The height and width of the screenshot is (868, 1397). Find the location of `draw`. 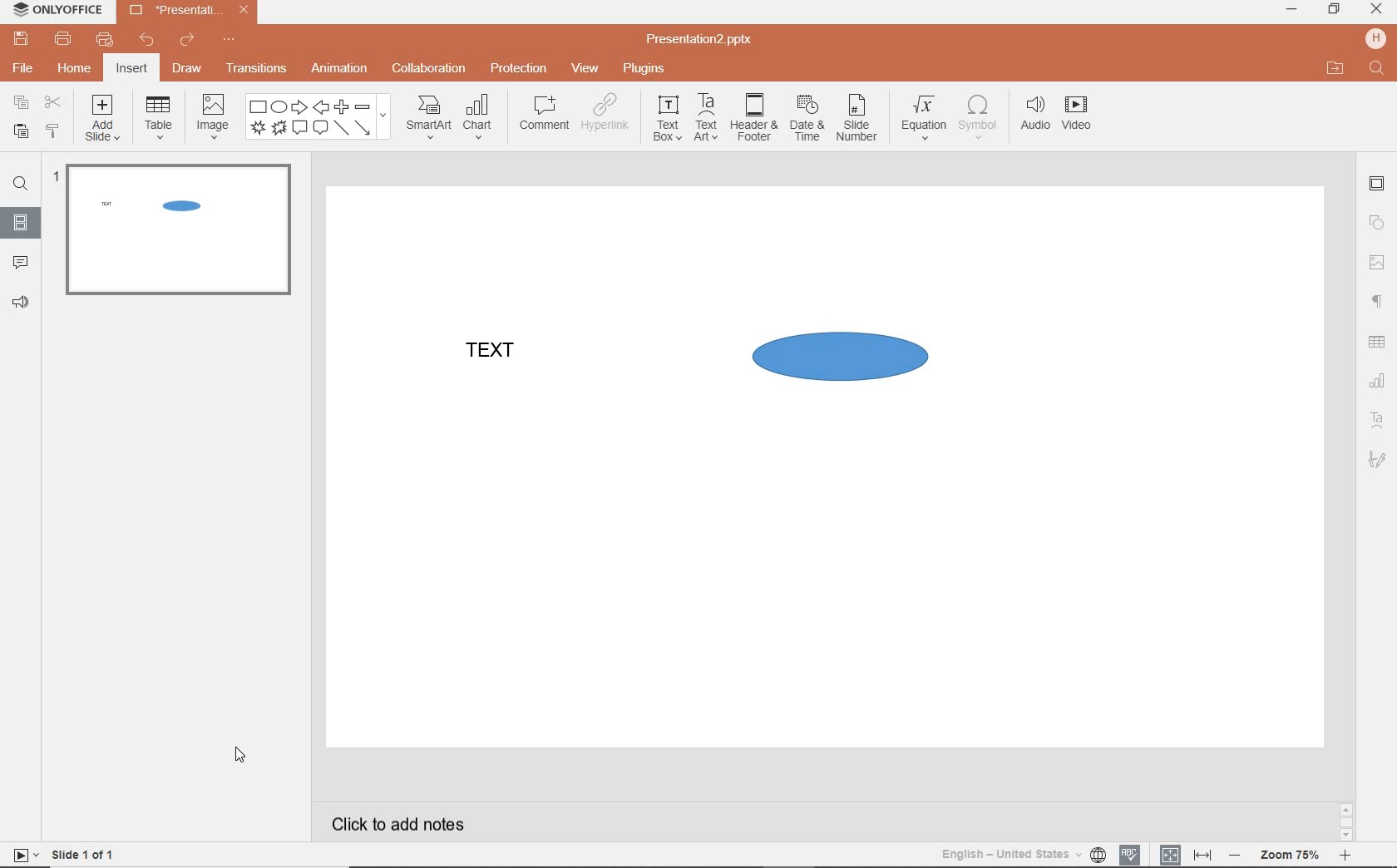

draw is located at coordinates (190, 68).